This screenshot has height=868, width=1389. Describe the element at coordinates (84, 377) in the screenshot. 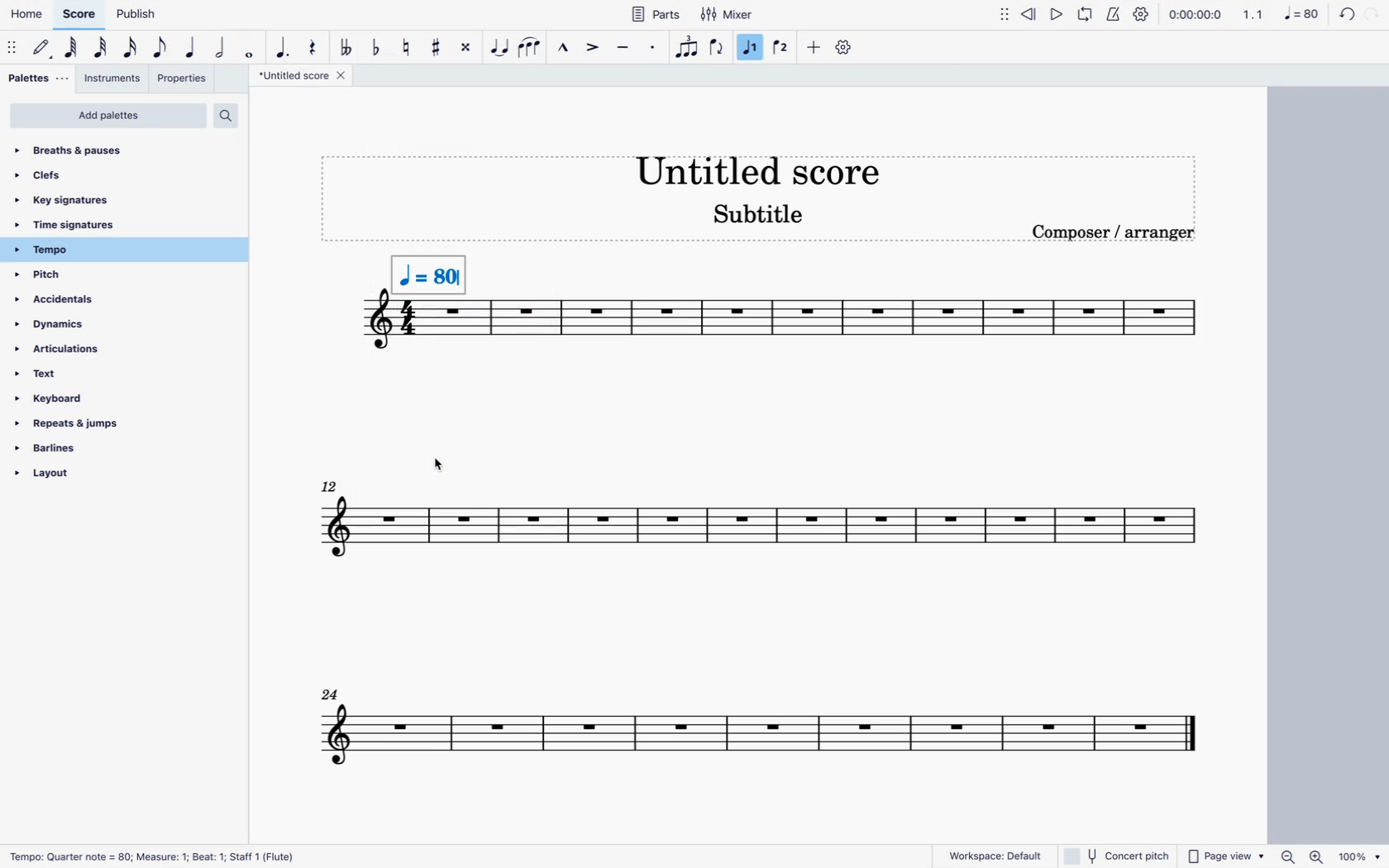

I see `text` at that location.